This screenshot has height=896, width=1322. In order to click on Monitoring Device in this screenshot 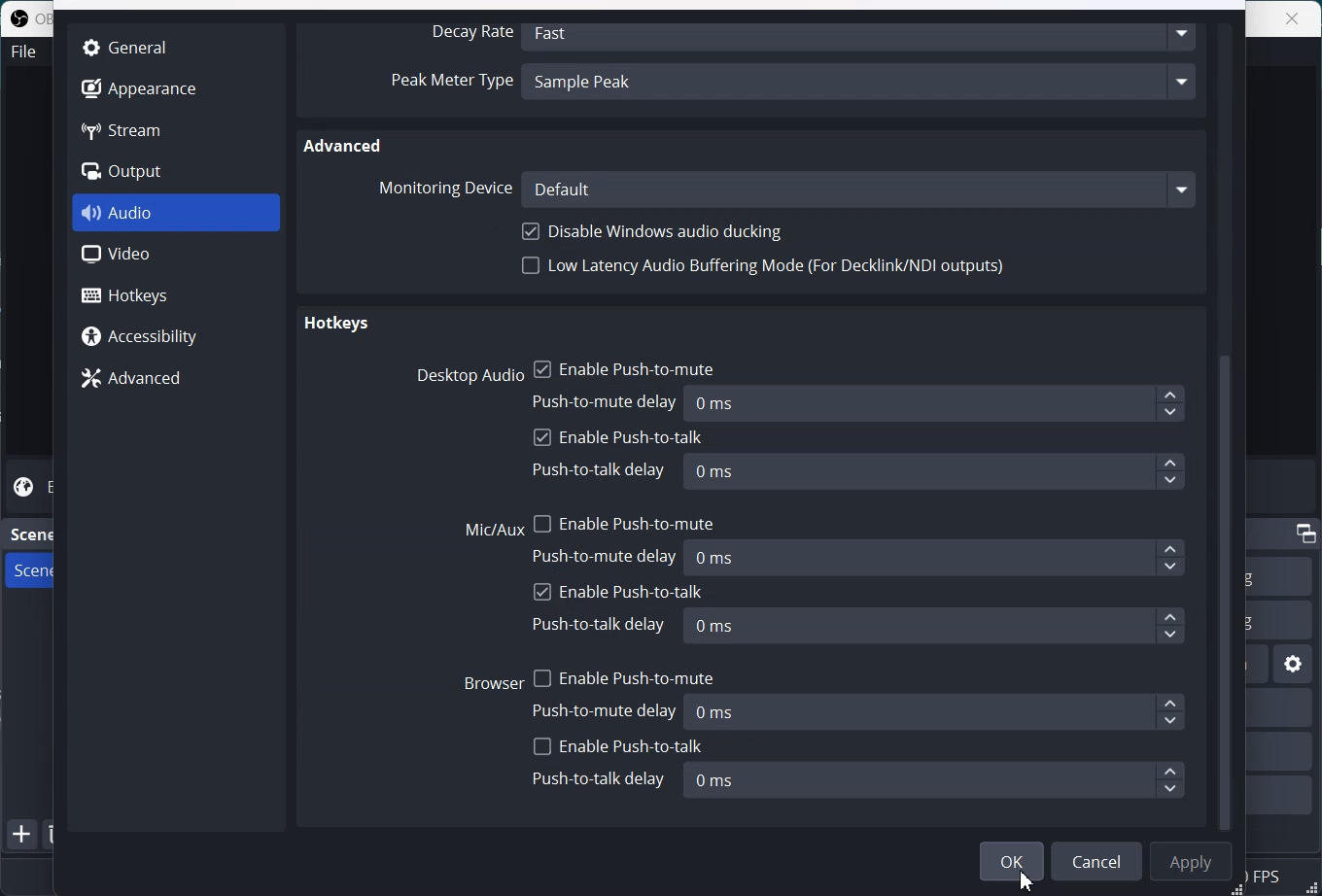, I will do `click(443, 188)`.